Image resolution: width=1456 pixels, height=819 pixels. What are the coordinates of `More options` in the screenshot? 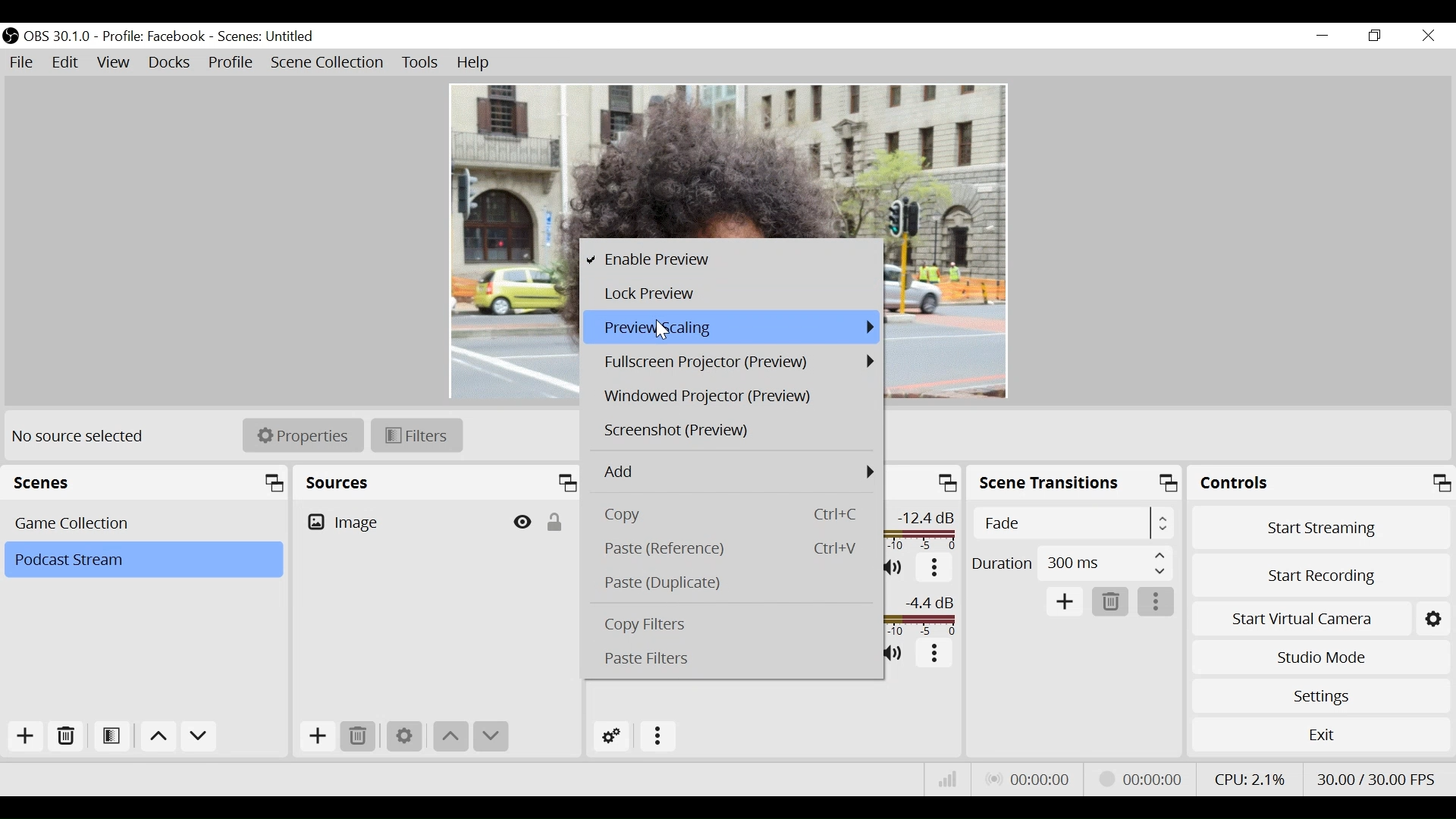 It's located at (1158, 601).